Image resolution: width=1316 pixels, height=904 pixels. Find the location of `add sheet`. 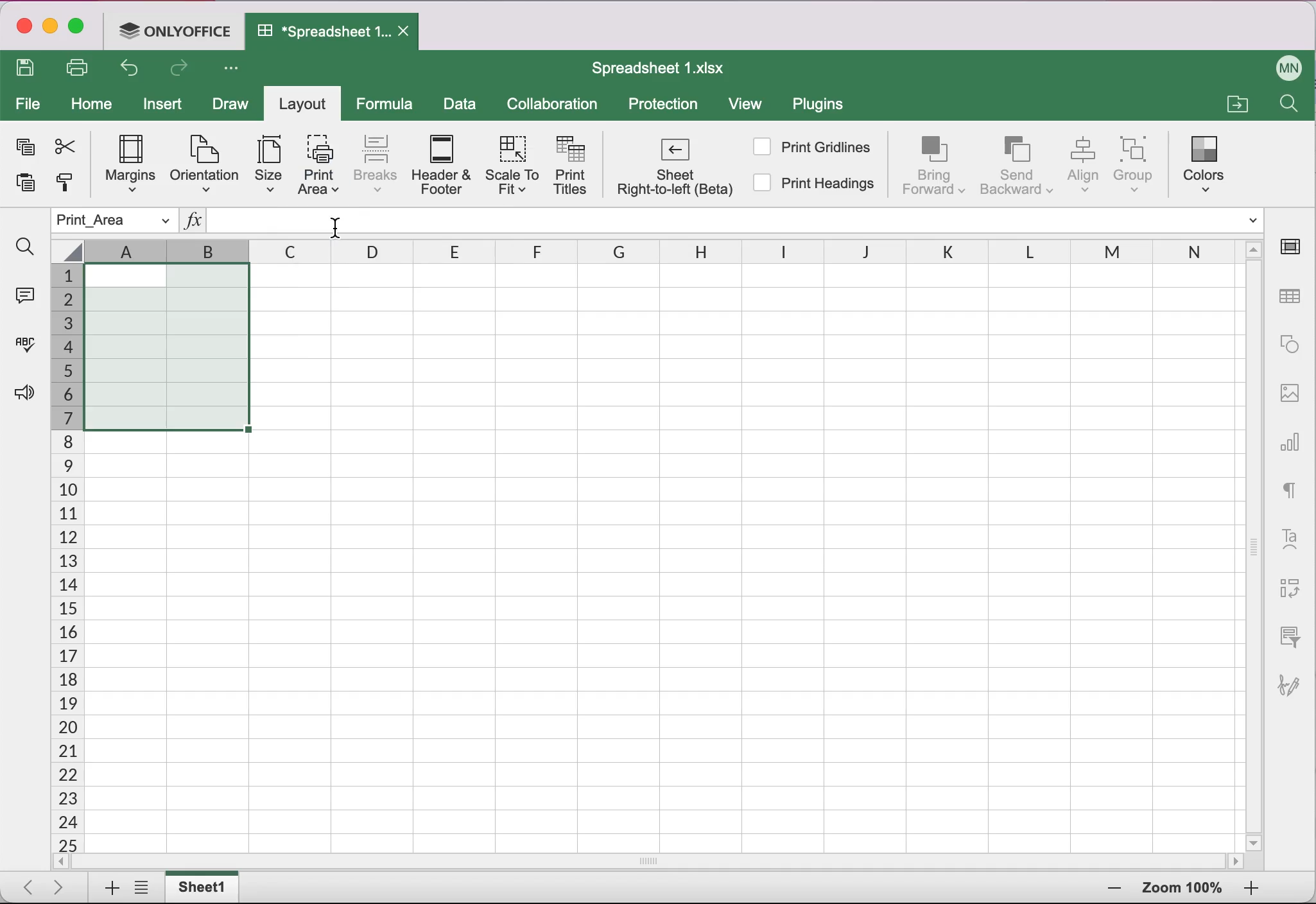

add sheet is located at coordinates (106, 889).